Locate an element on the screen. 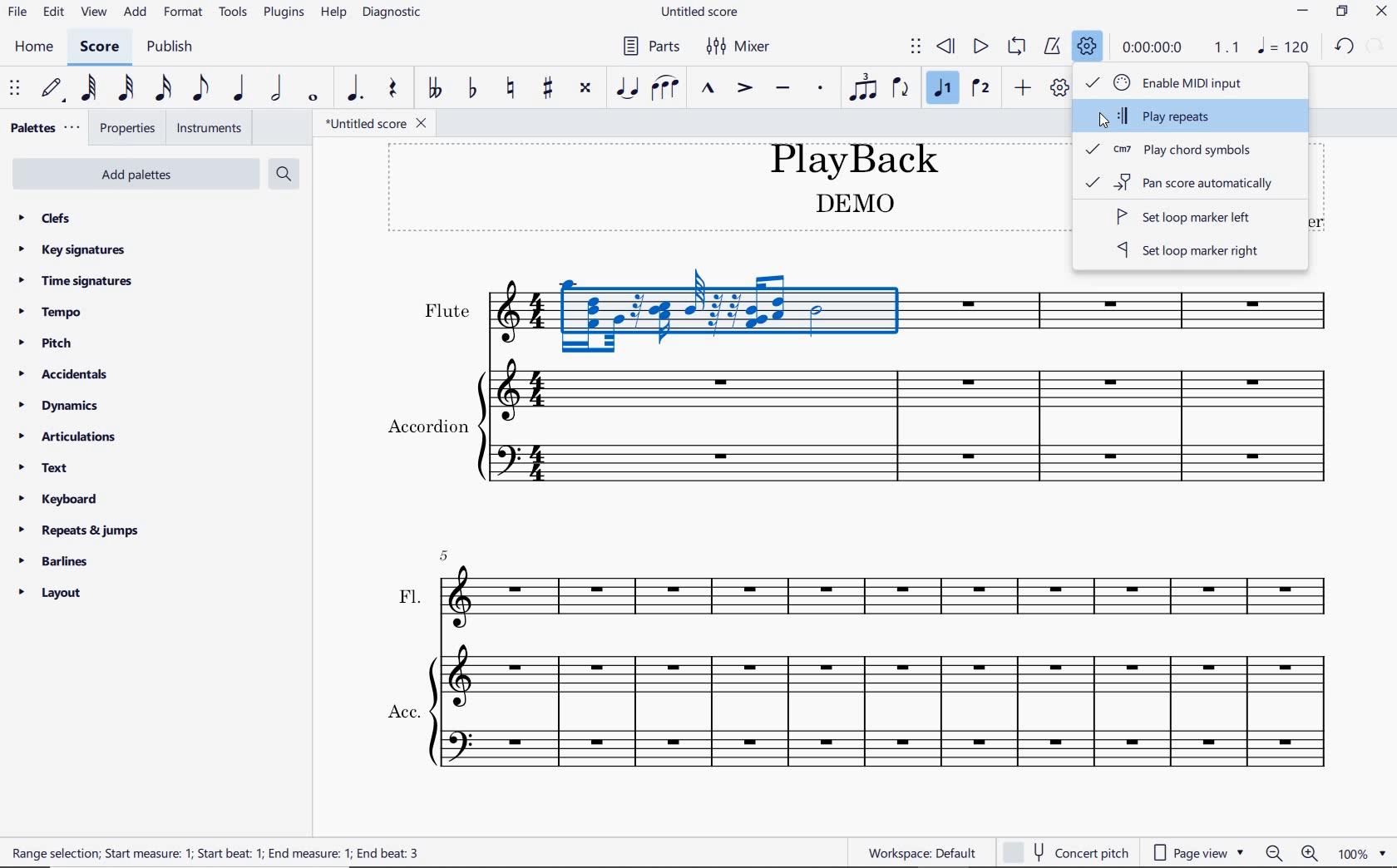 The image size is (1397, 868). home is located at coordinates (37, 47).